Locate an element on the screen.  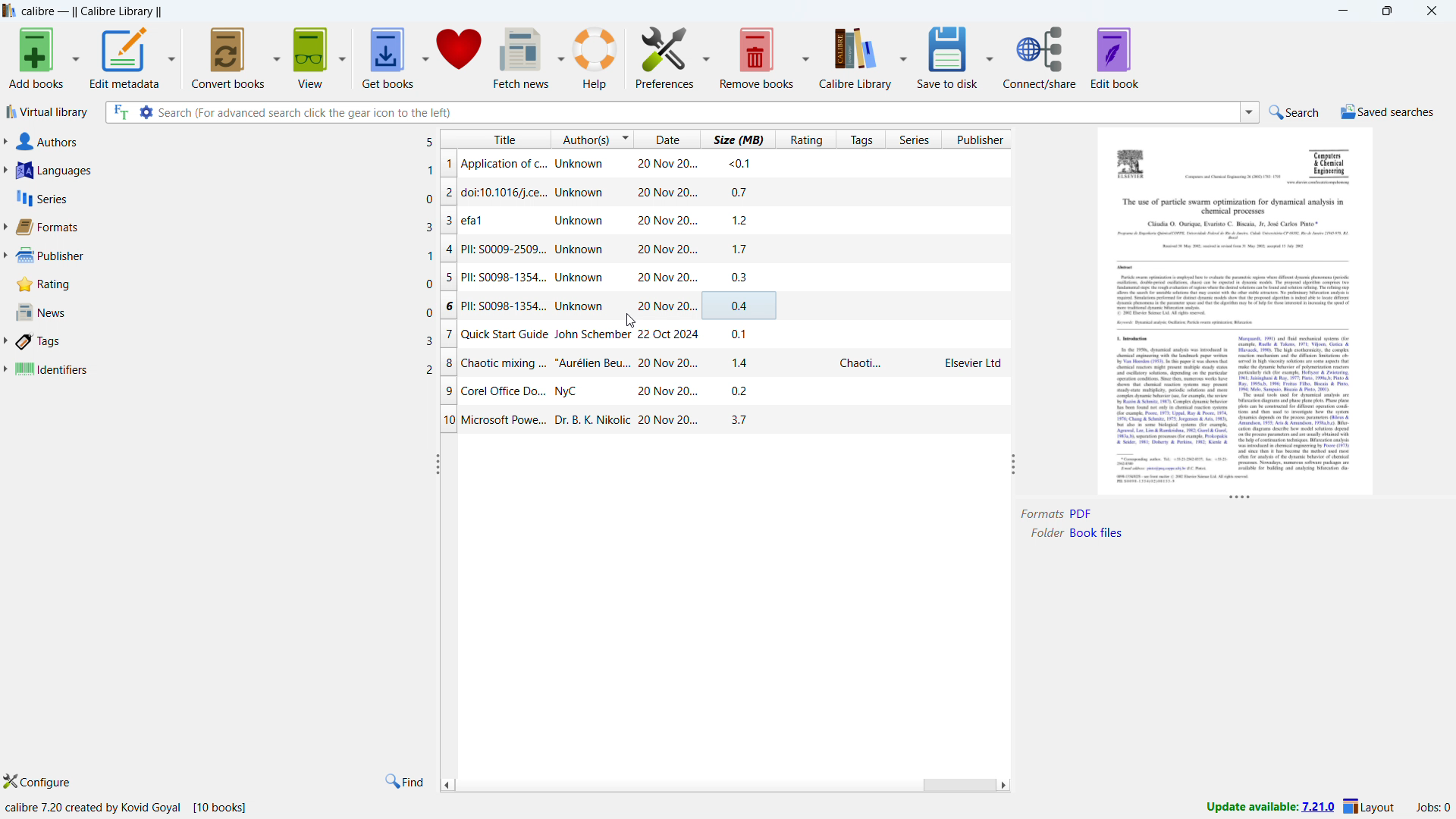
help is located at coordinates (596, 55).